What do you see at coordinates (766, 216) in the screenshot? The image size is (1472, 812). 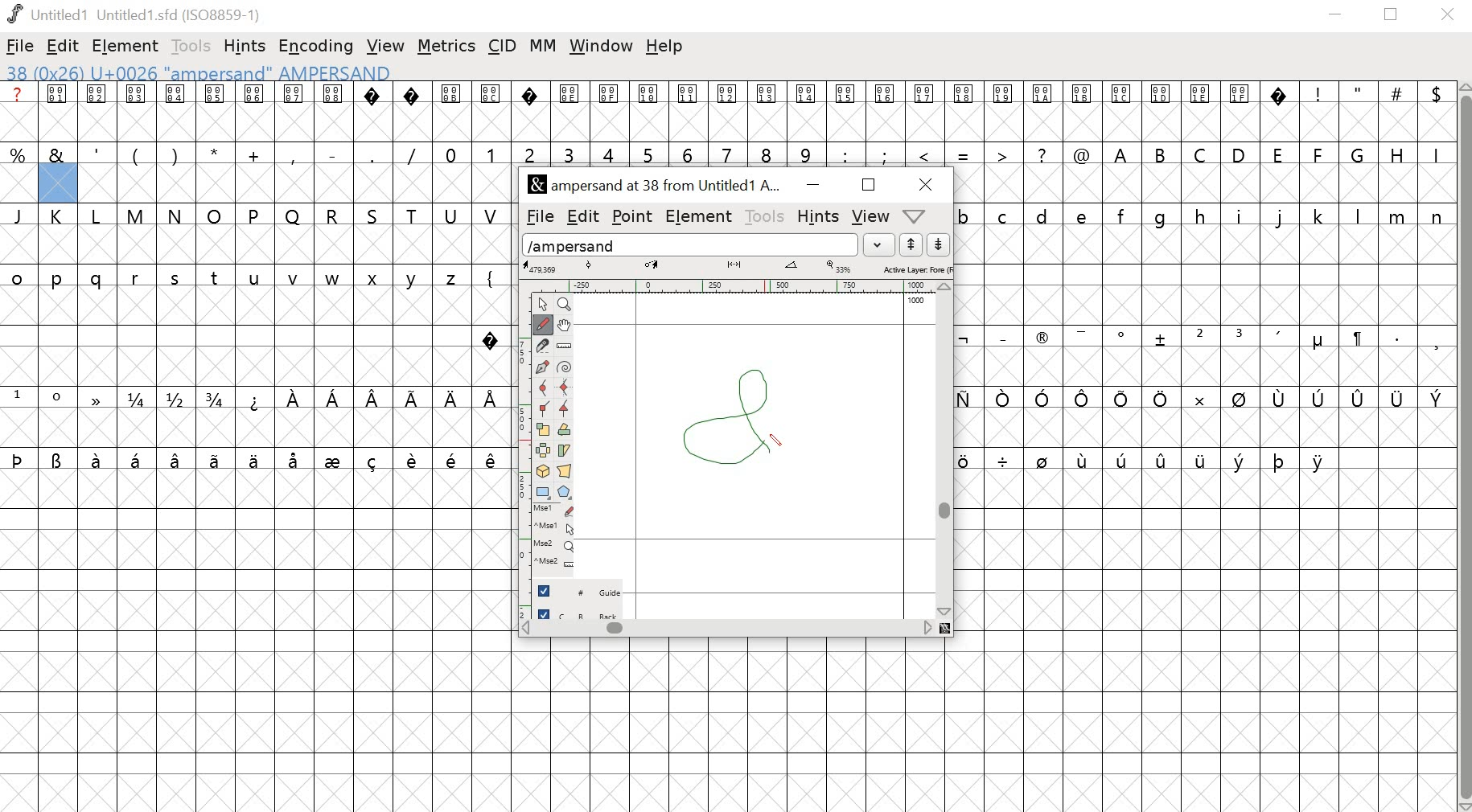 I see `tools` at bounding box center [766, 216].